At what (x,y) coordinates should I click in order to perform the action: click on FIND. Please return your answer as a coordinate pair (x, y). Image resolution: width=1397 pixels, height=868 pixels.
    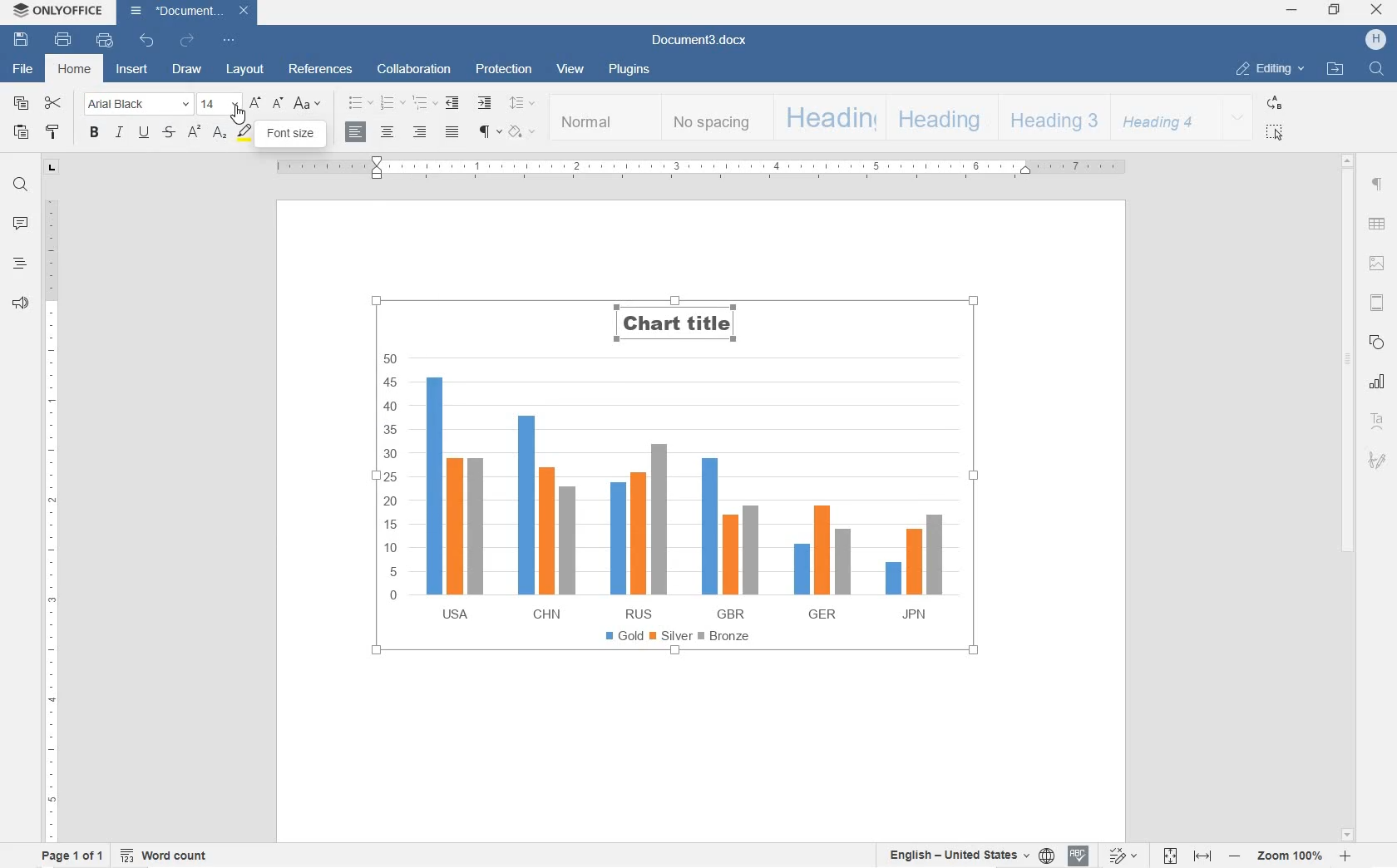
    Looking at the image, I should click on (1376, 68).